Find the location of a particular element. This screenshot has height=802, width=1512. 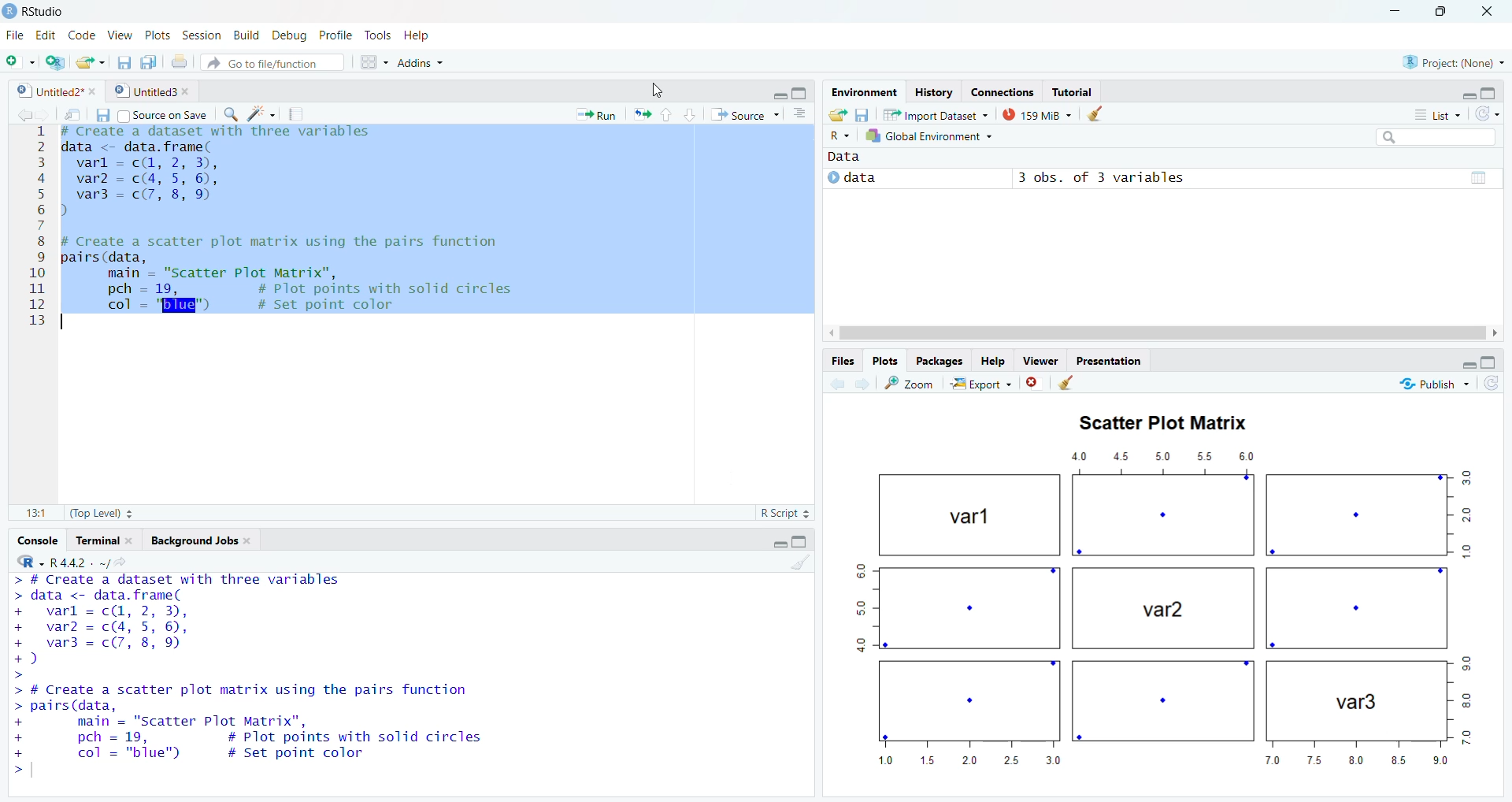

Presentation is located at coordinates (1110, 361).